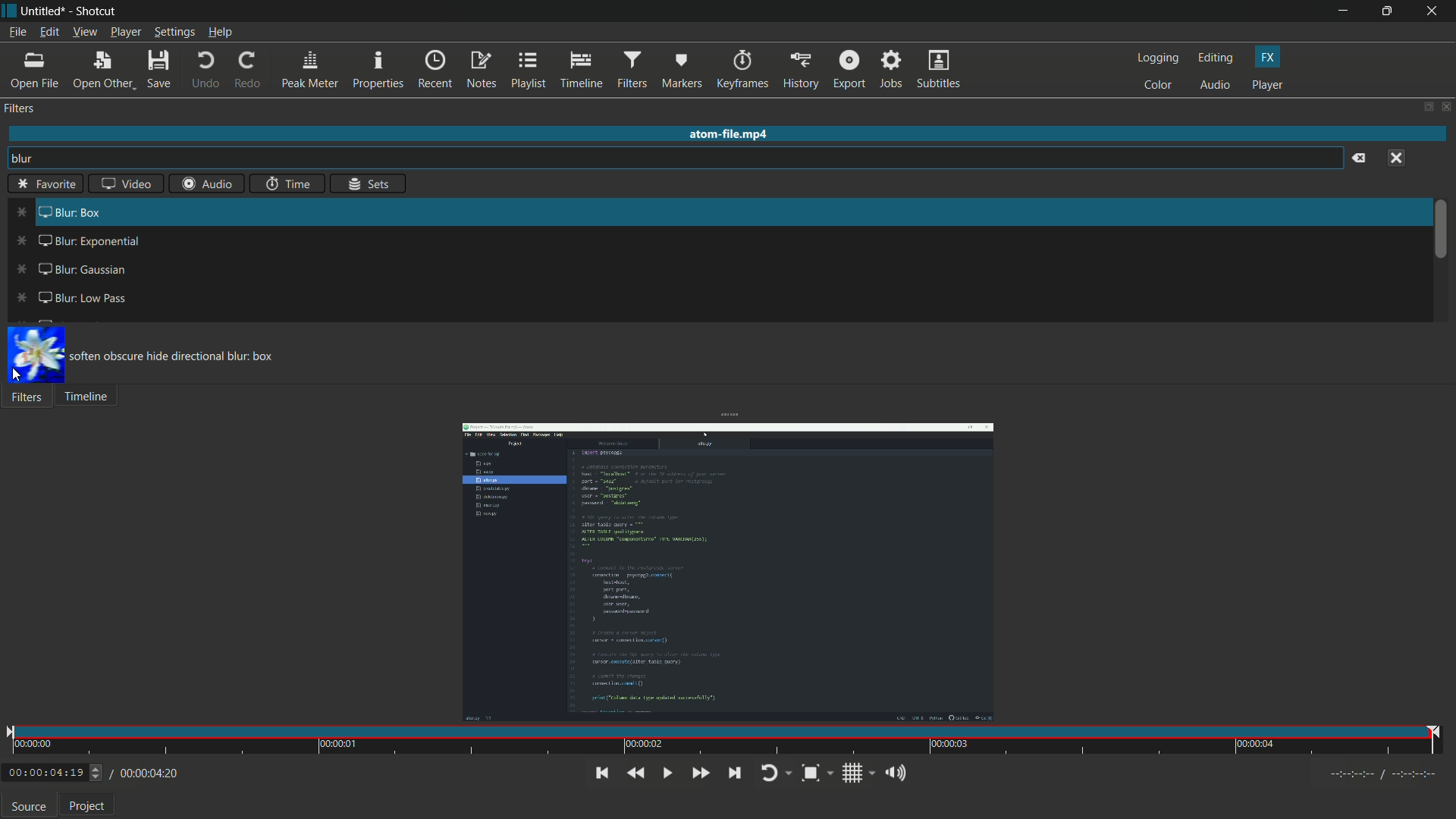 This screenshot has height=819, width=1456. What do you see at coordinates (72, 296) in the screenshot?
I see `blur low pass` at bounding box center [72, 296].